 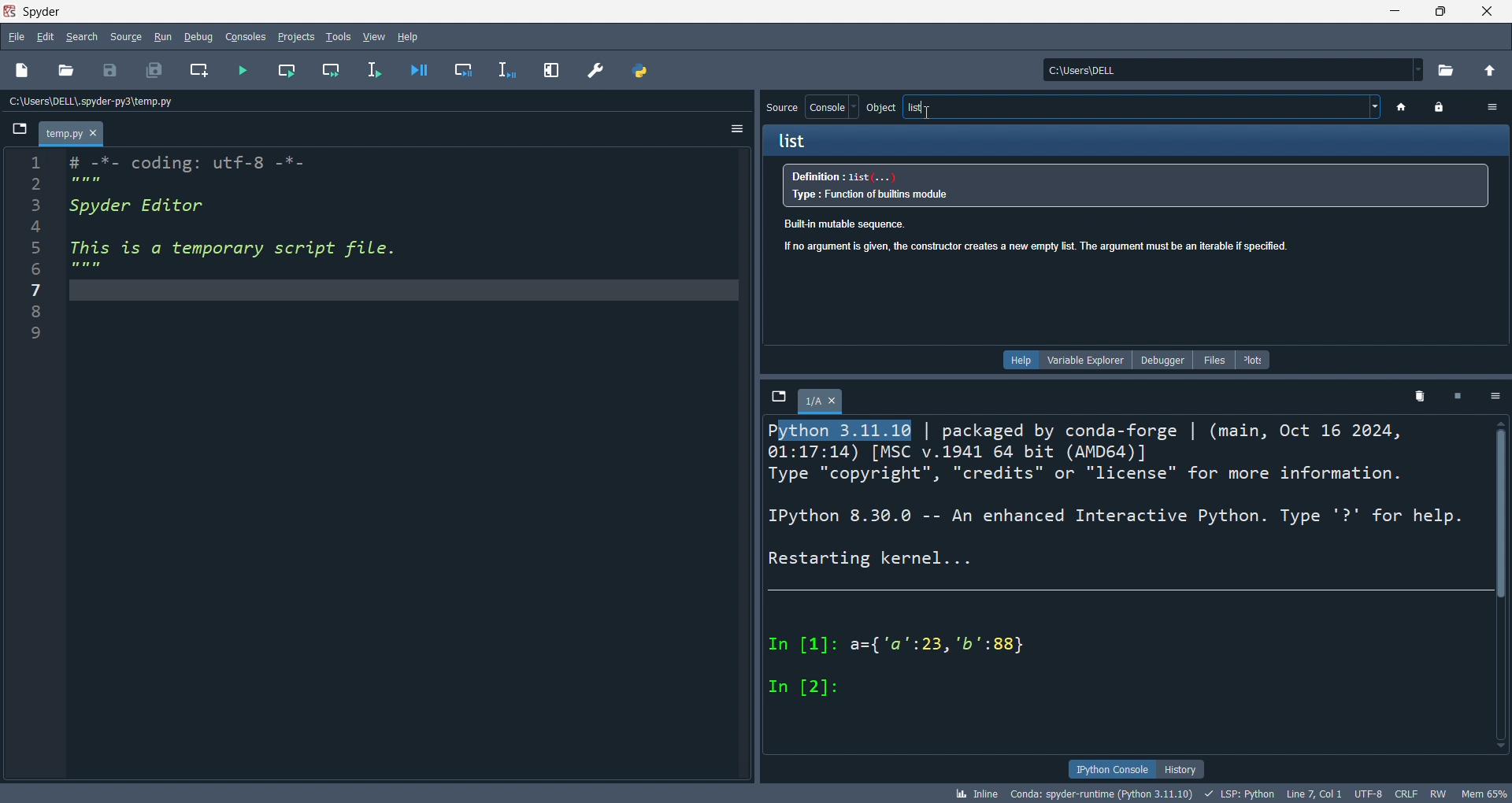 What do you see at coordinates (458, 71) in the screenshot?
I see `debug cel` at bounding box center [458, 71].